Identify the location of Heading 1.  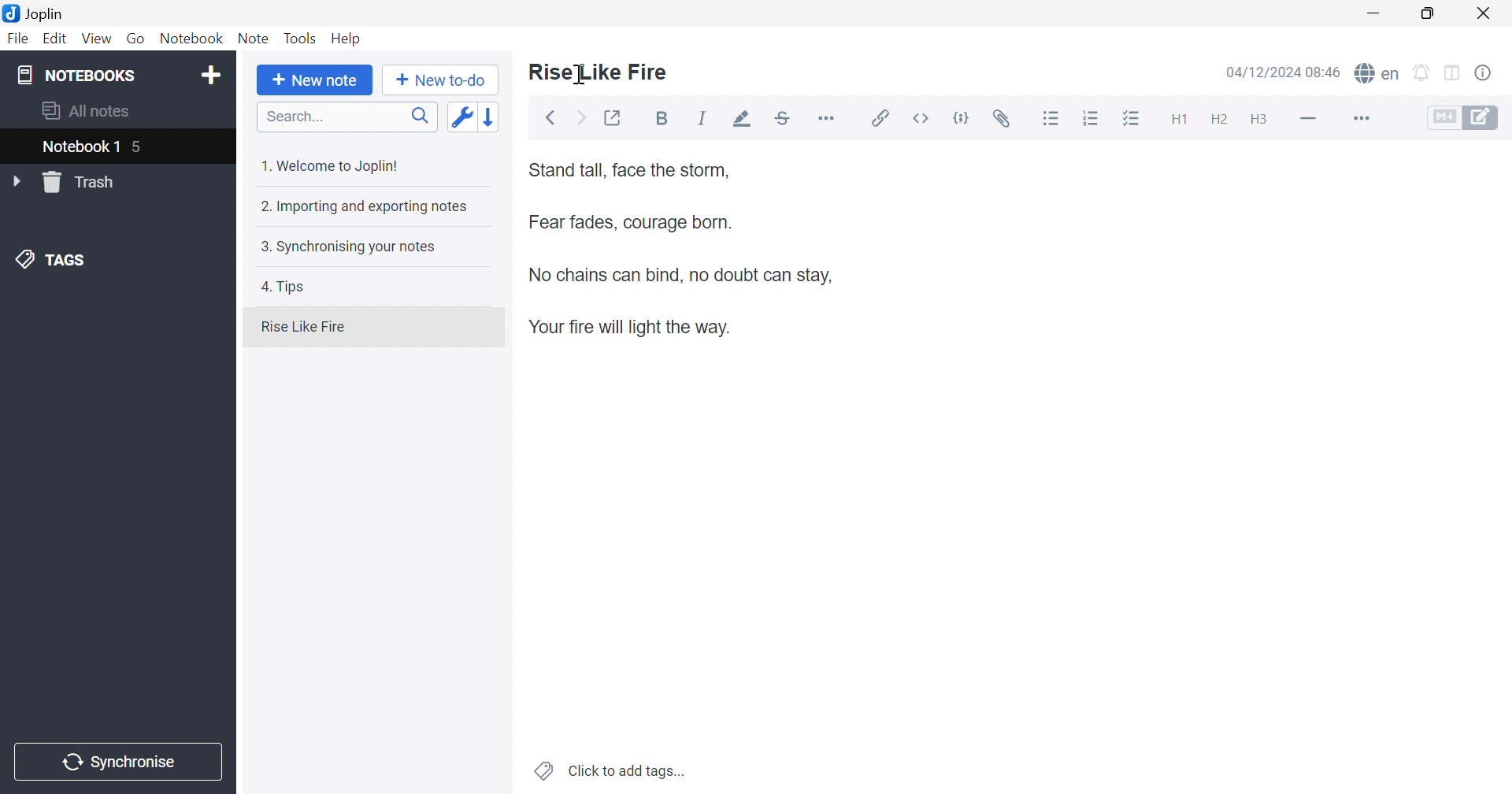
(1178, 118).